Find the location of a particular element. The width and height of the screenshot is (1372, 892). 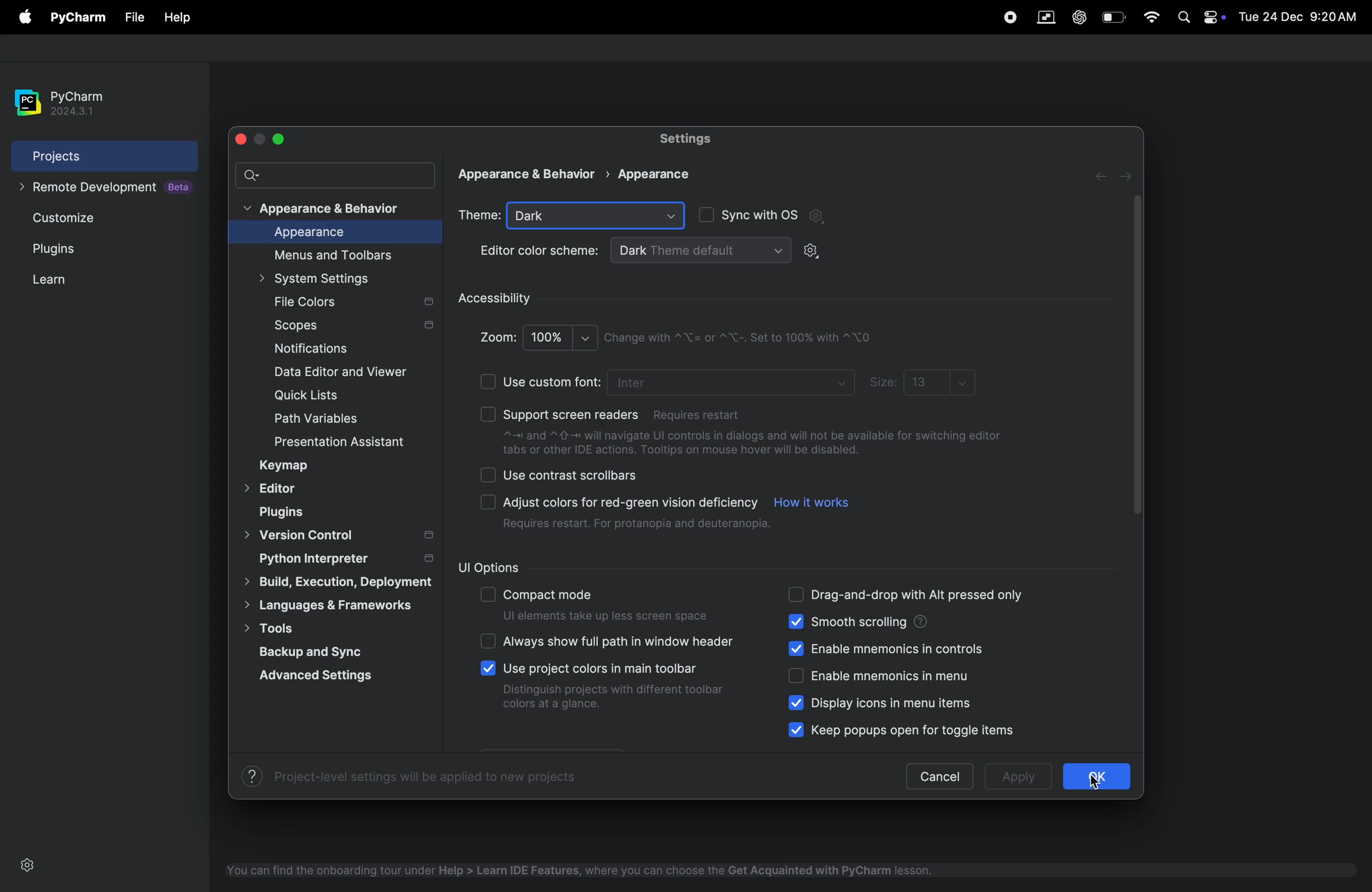

File is located at coordinates (133, 18).